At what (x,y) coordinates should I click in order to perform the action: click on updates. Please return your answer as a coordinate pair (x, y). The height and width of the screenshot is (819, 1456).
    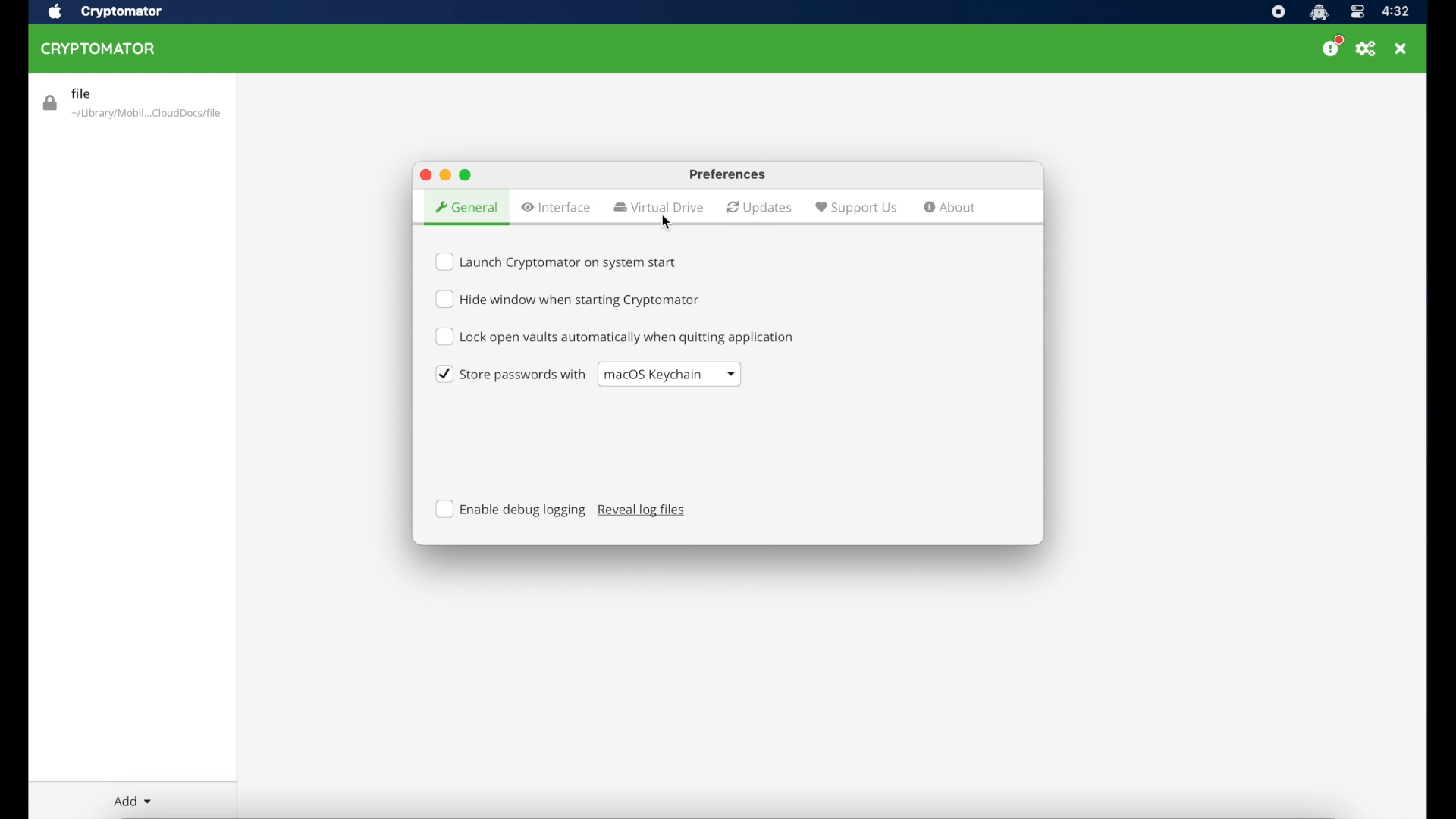
    Looking at the image, I should click on (760, 208).